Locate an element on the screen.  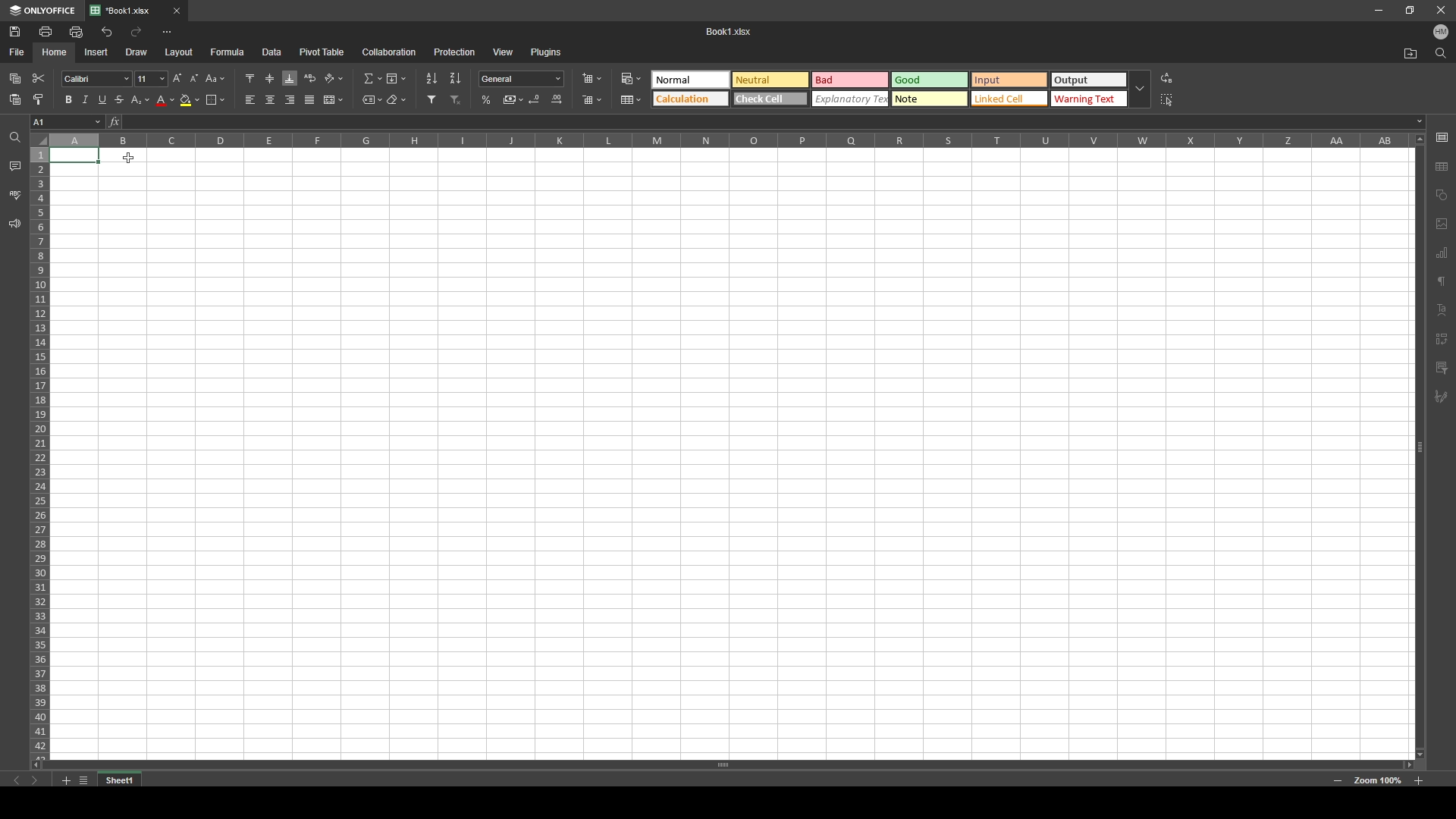
zoom is located at coordinates (1377, 781).